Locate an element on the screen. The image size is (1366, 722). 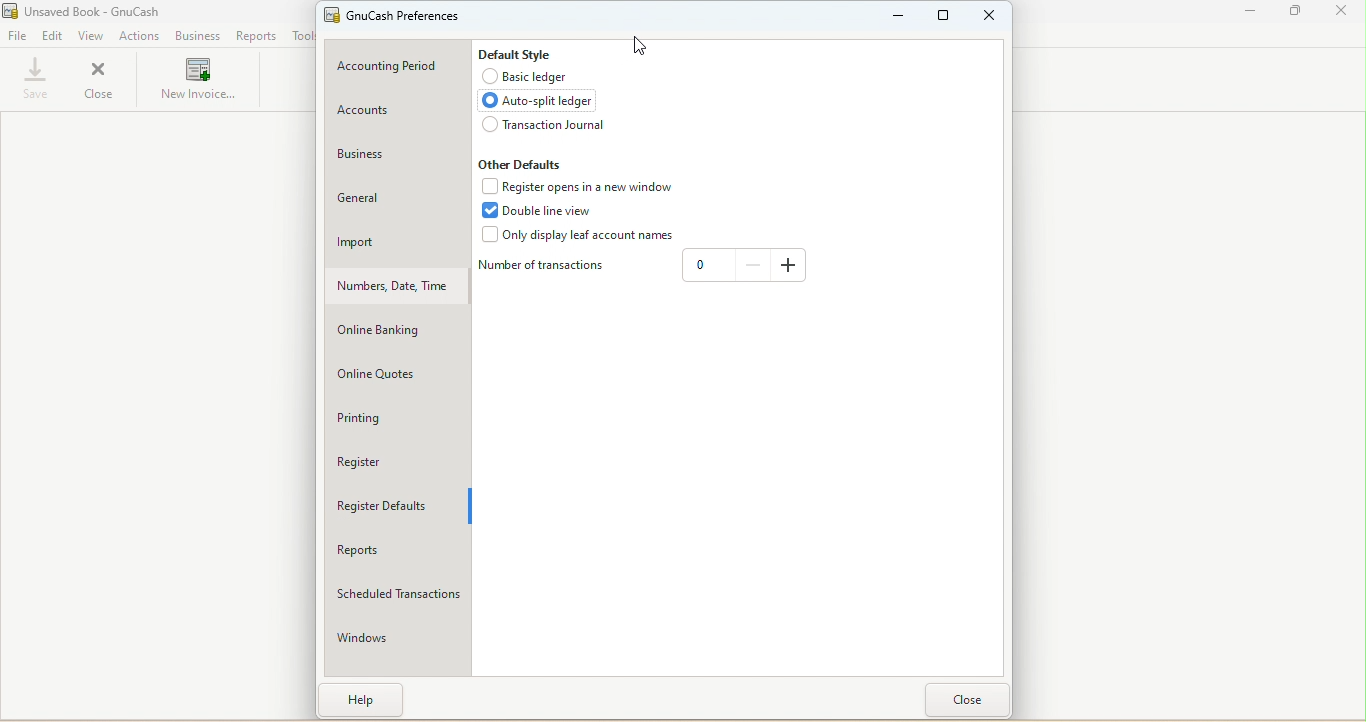
Reports is located at coordinates (399, 551).